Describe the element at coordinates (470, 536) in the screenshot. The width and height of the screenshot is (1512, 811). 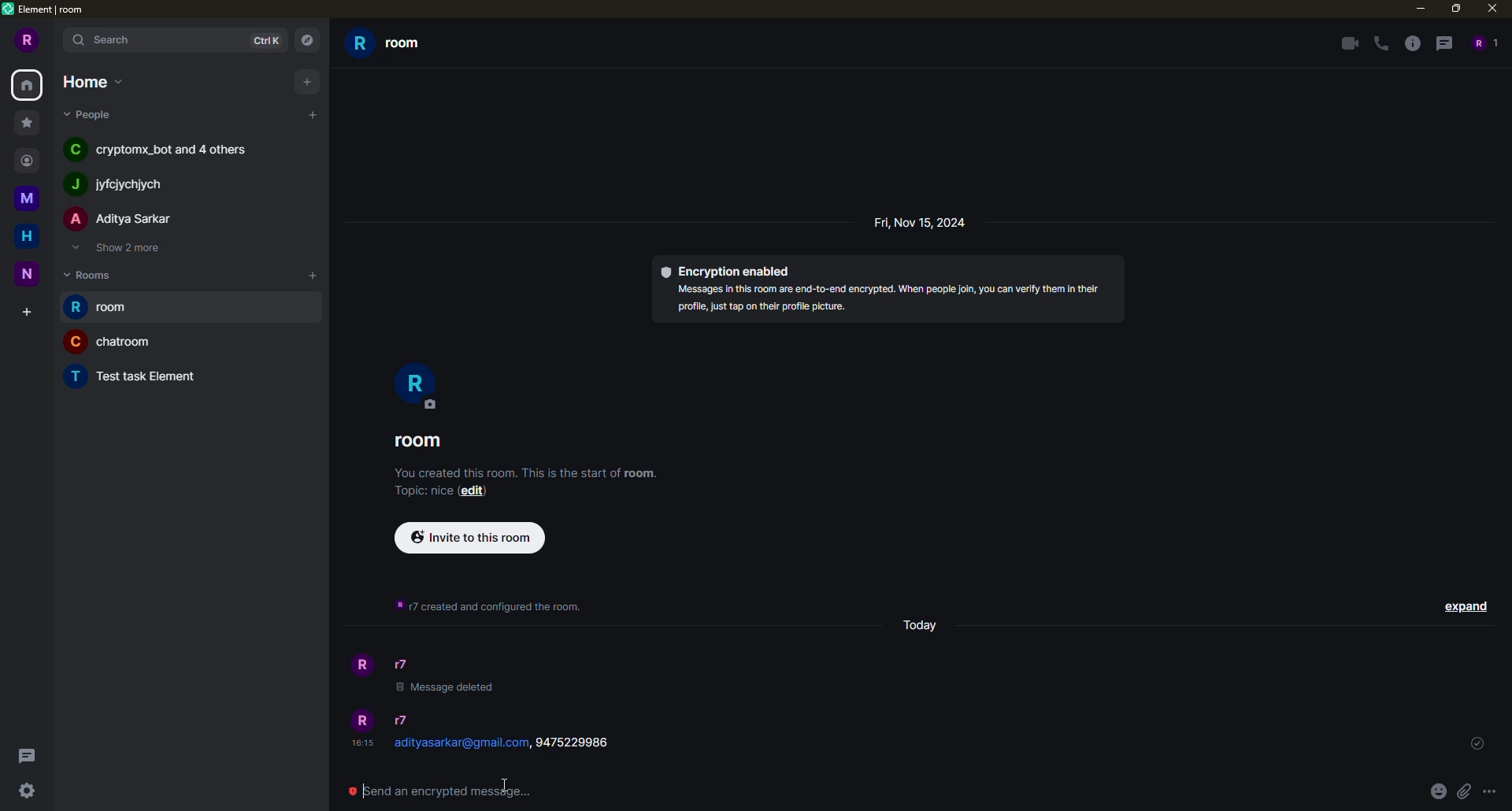
I see `invite to this room` at that location.